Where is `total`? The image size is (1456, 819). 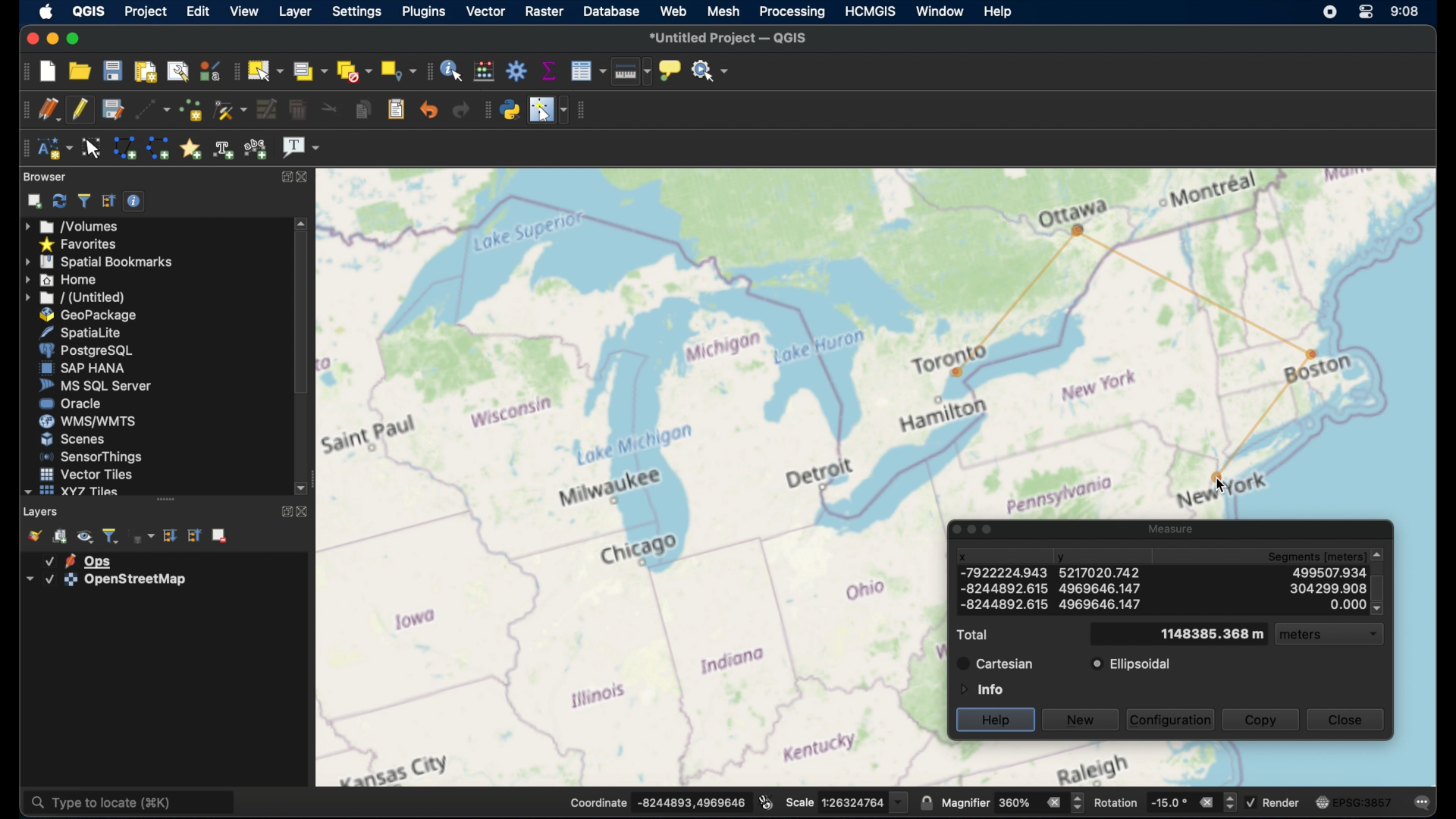
total is located at coordinates (971, 635).